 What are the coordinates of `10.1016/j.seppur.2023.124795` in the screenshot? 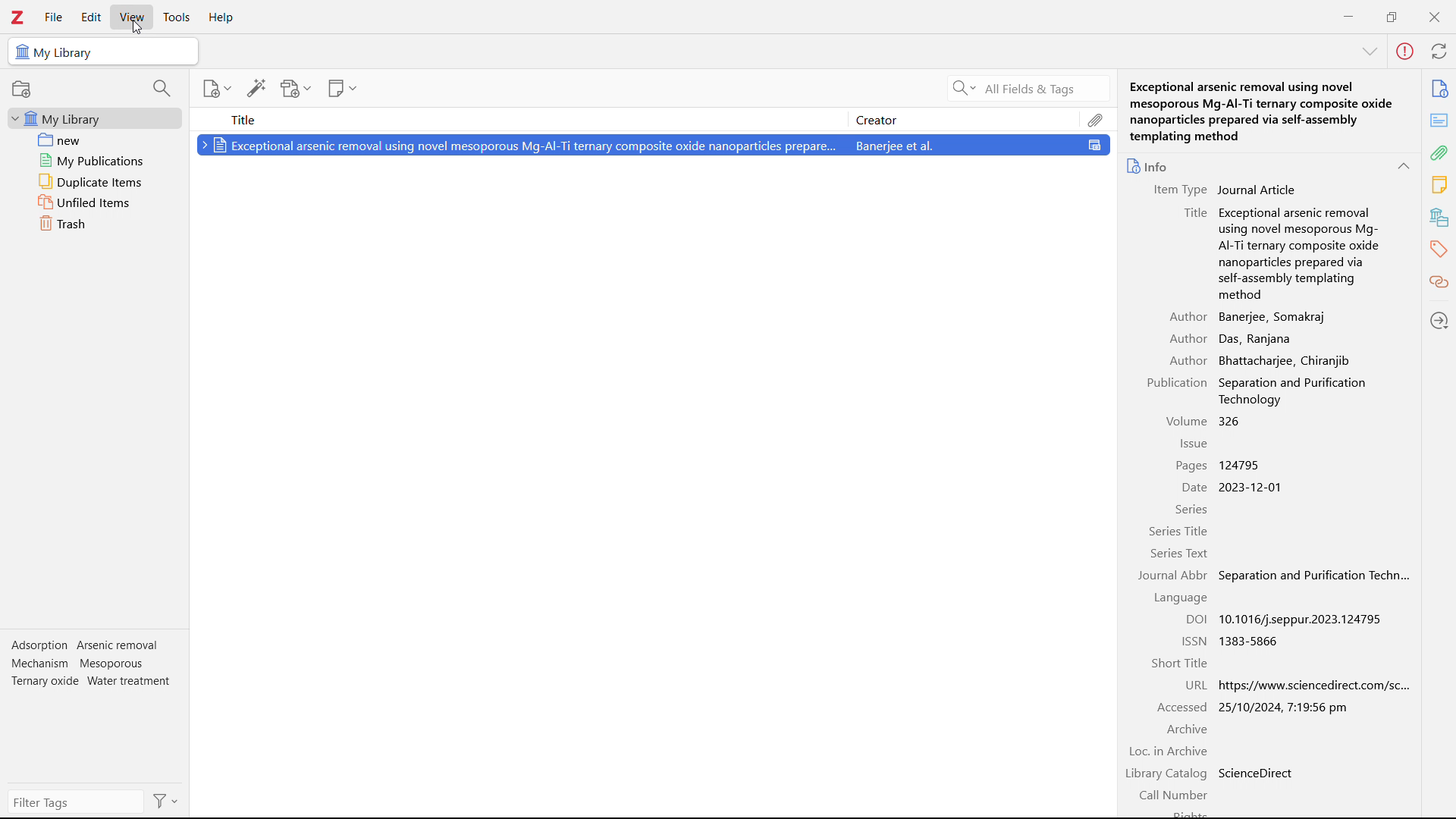 It's located at (1306, 620).